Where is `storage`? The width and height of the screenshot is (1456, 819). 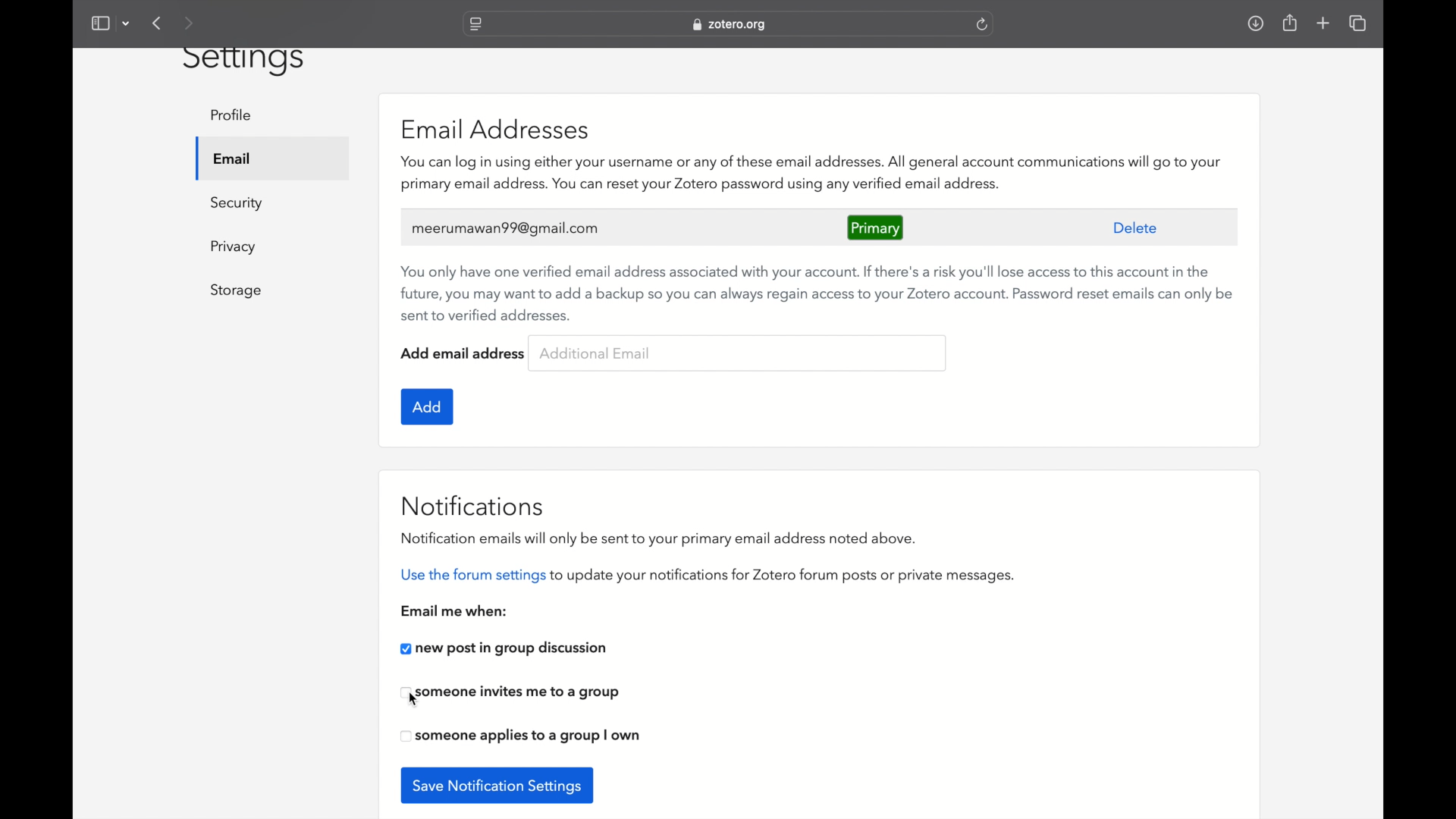
storage is located at coordinates (236, 291).